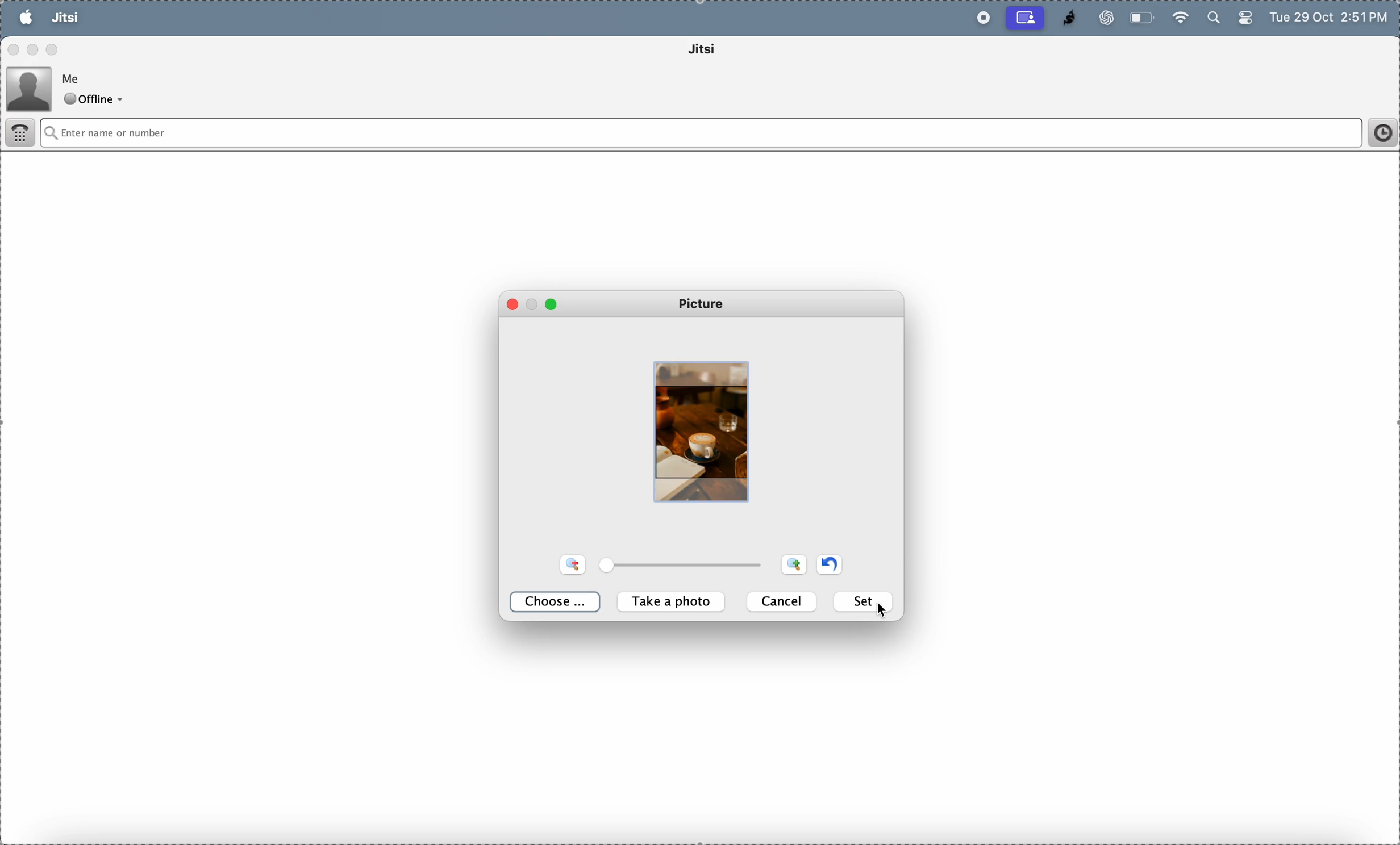 This screenshot has width=1400, height=845. What do you see at coordinates (640, 133) in the screenshot?
I see `Enter name or number` at bounding box center [640, 133].